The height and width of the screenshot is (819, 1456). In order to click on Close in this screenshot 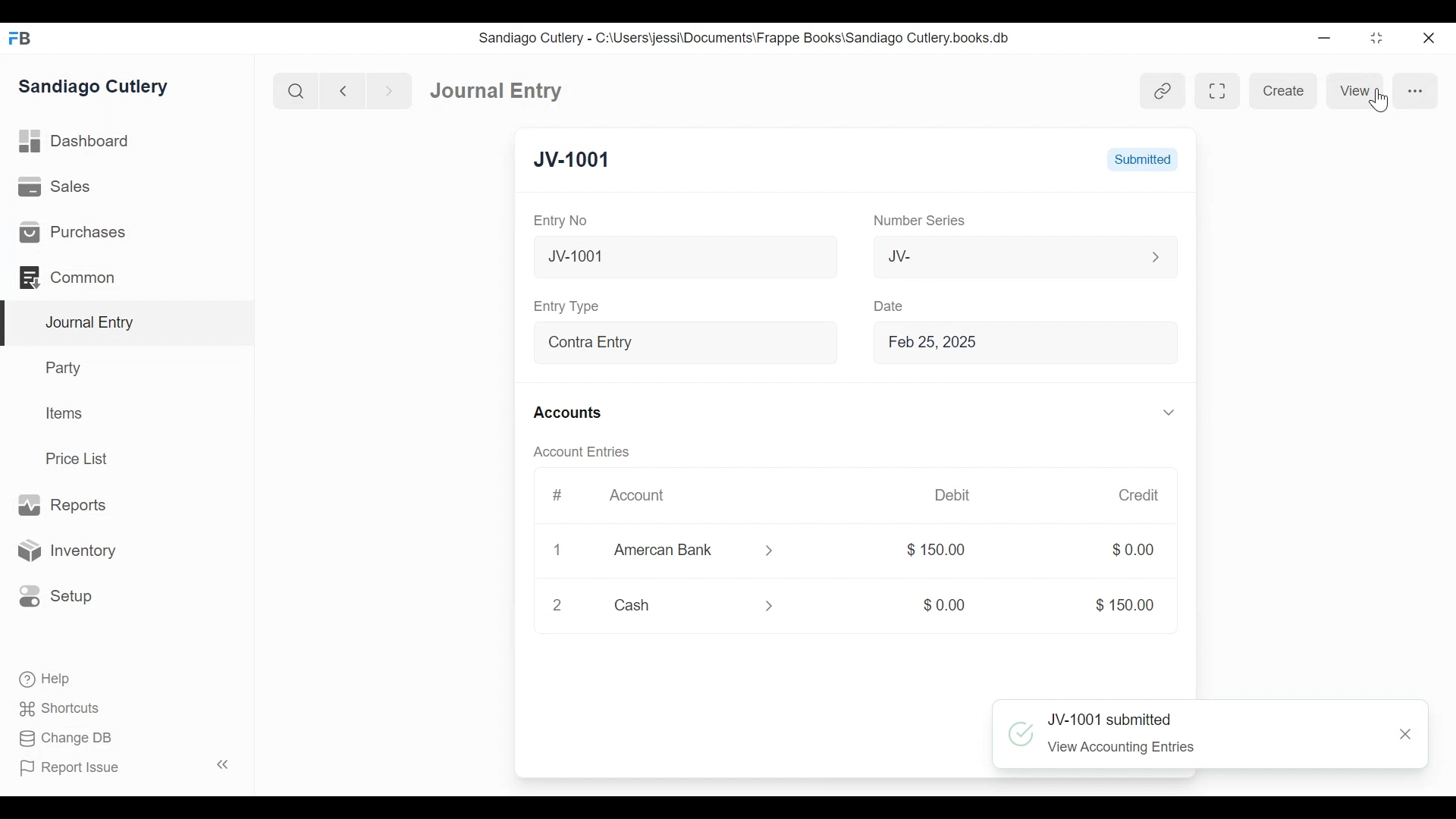, I will do `click(1431, 37)`.